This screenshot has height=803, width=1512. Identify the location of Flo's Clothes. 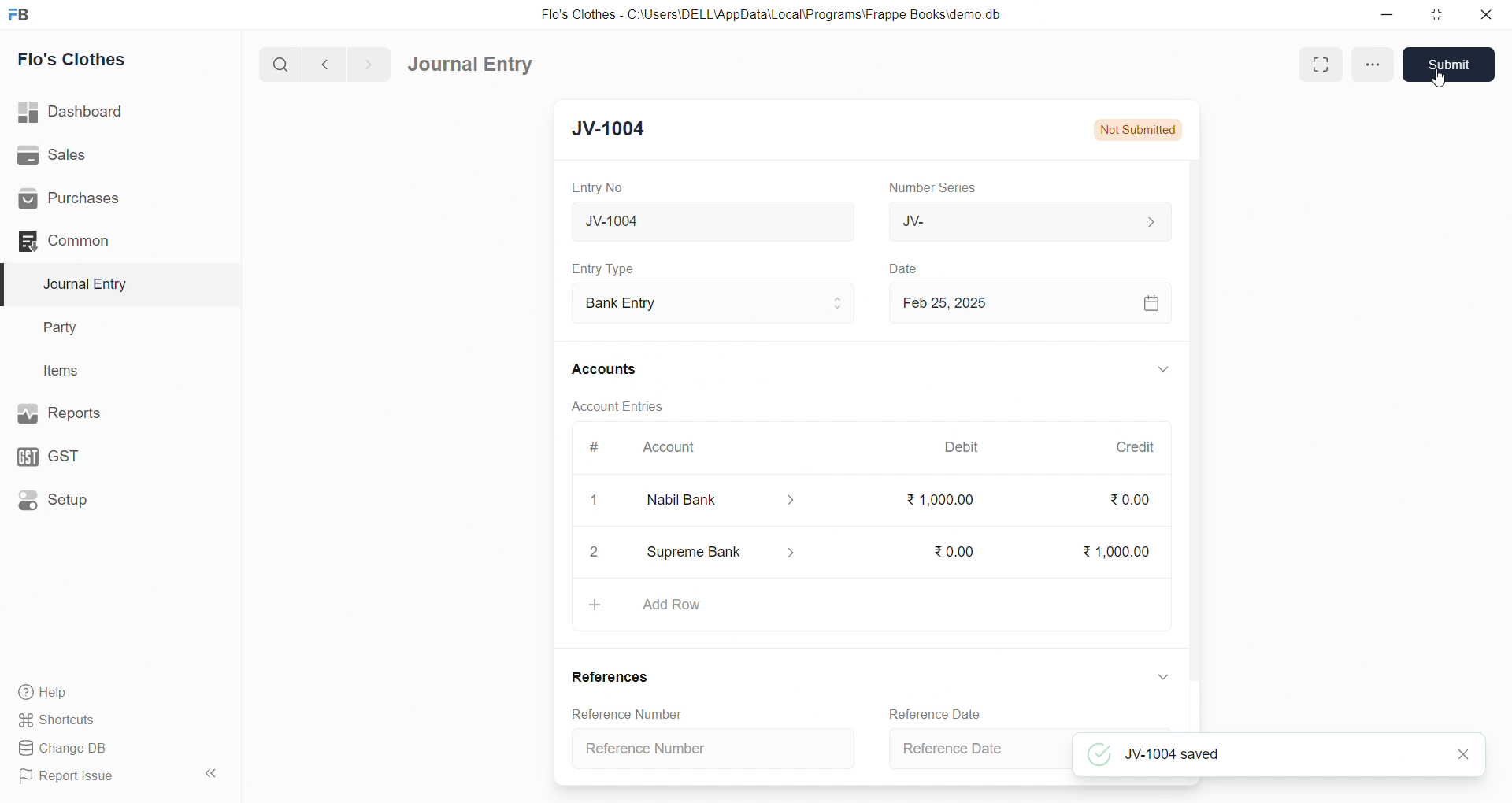
(113, 60).